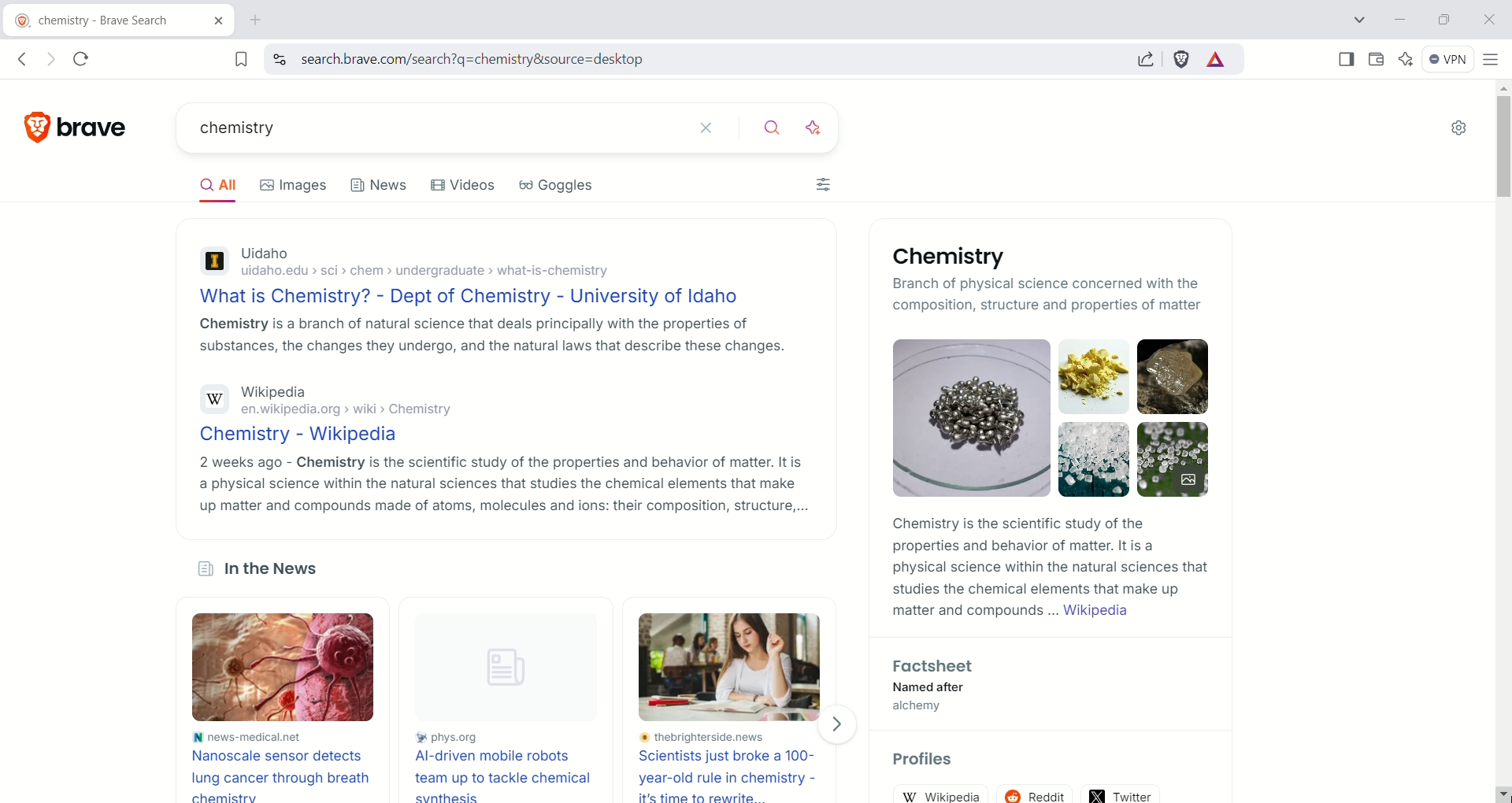 The image size is (1512, 803). Describe the element at coordinates (707, 126) in the screenshot. I see `clear` at that location.